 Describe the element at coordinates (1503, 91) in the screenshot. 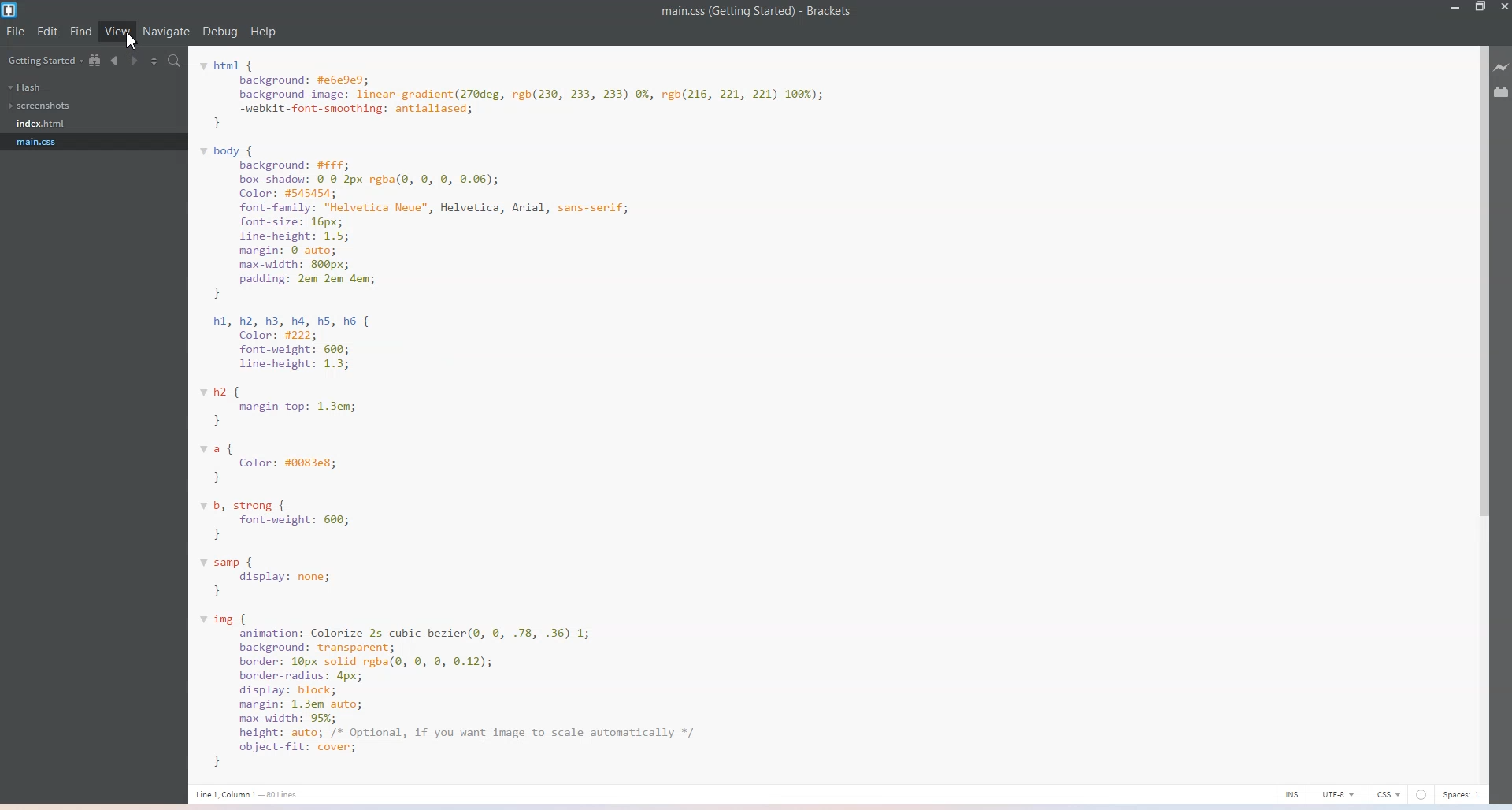

I see `Extension Manager` at that location.